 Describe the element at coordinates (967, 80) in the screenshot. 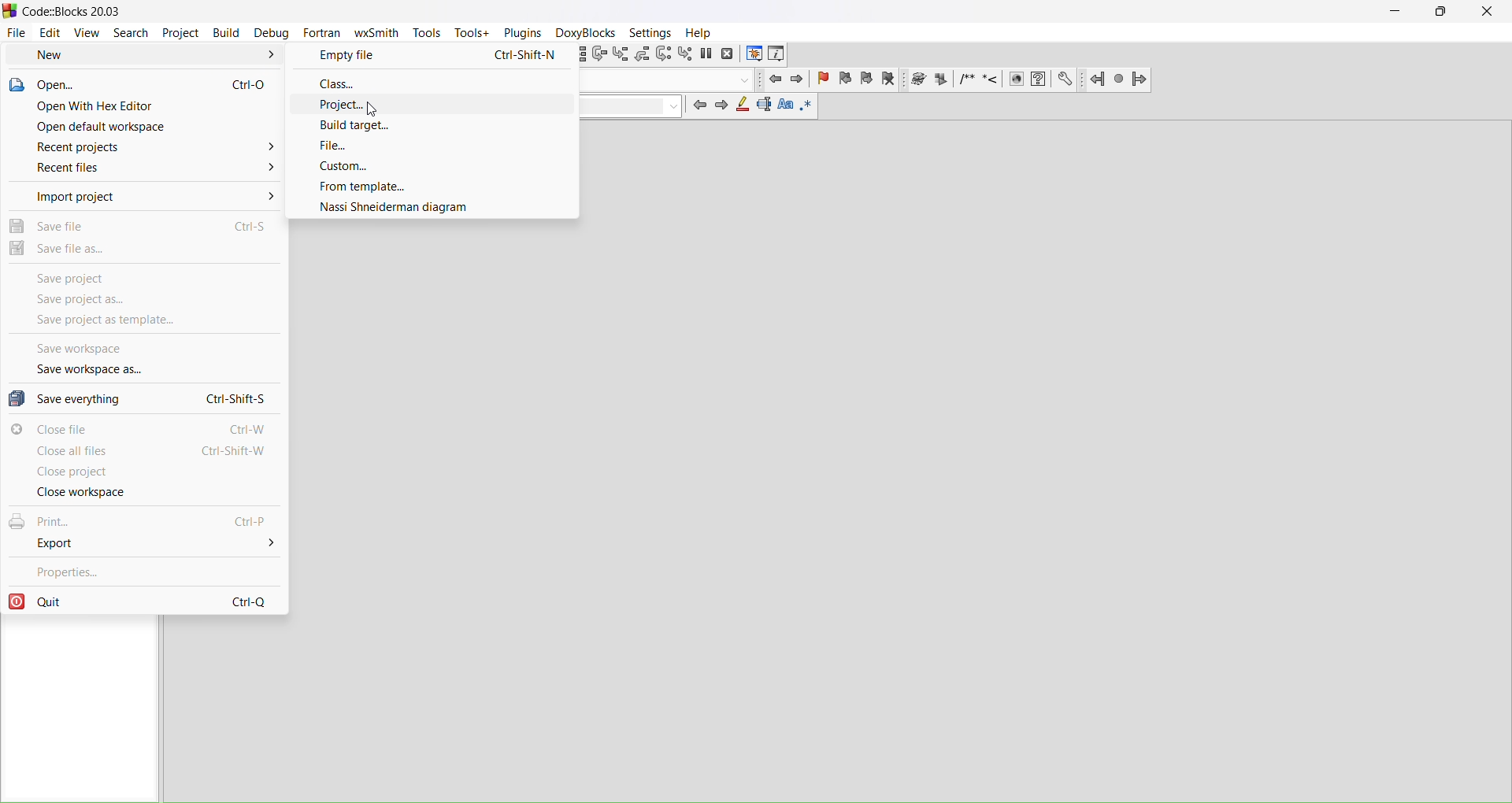

I see `Insert comment block` at that location.